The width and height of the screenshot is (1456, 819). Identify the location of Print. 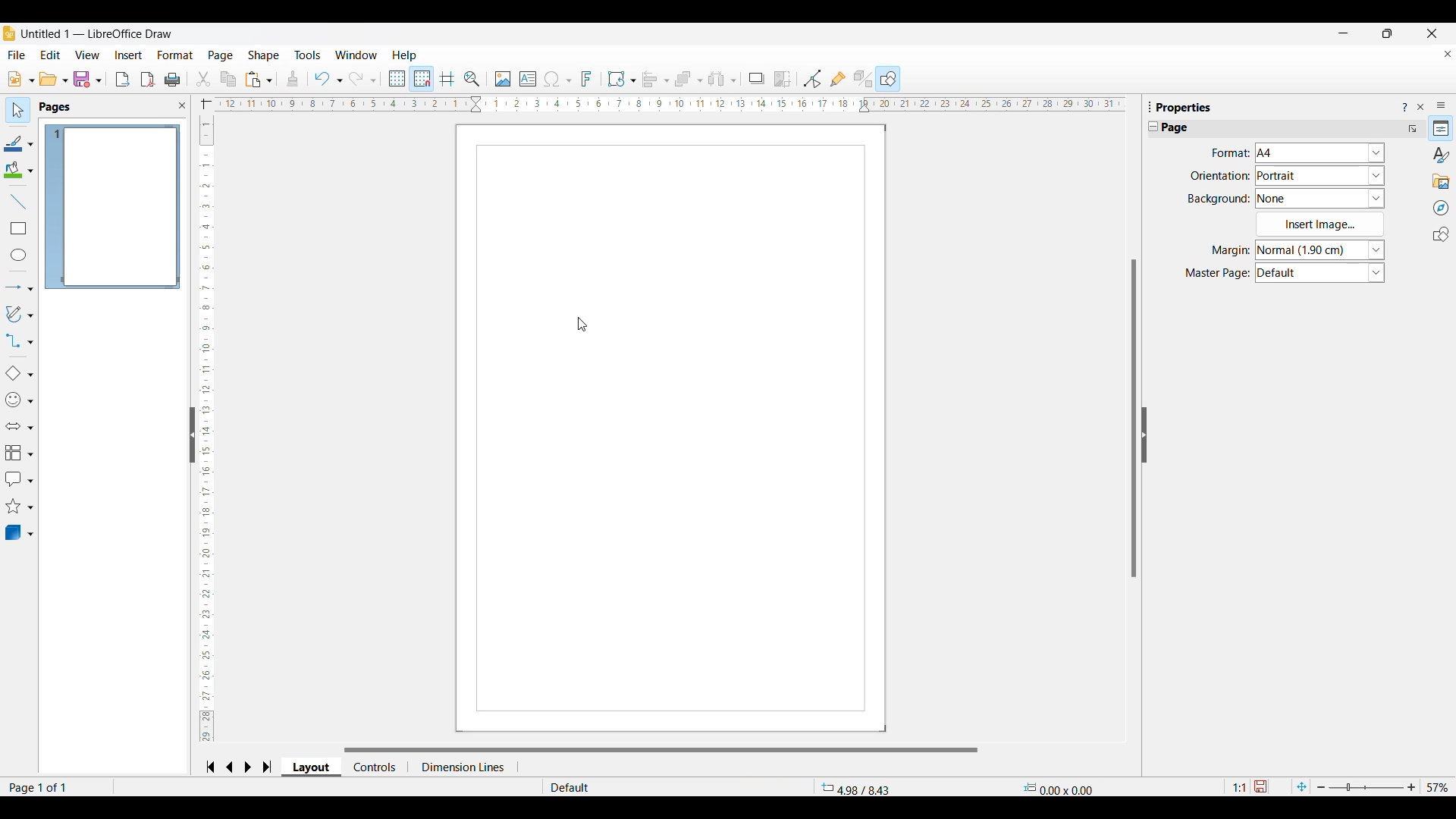
(173, 80).